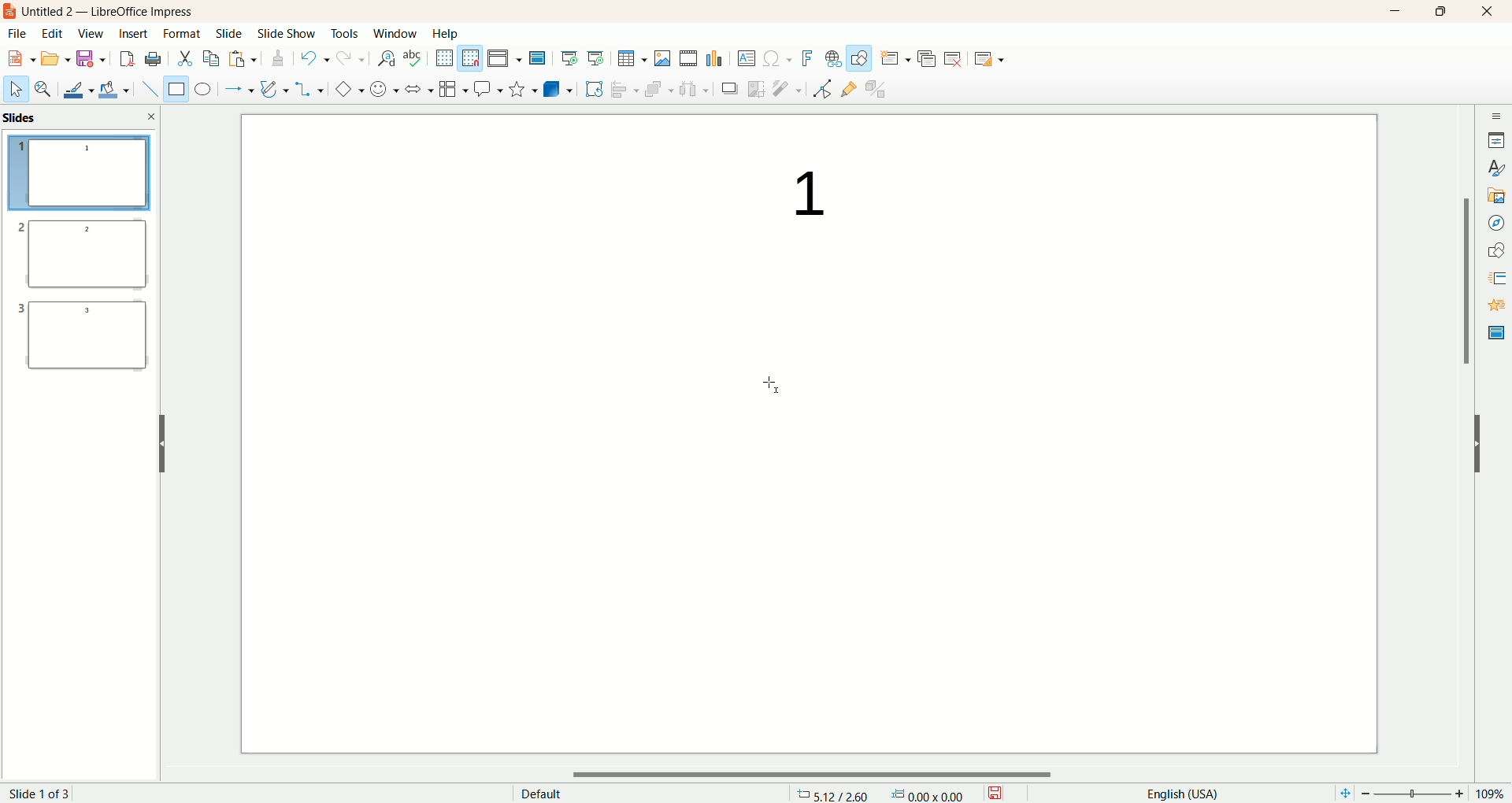 The width and height of the screenshot is (1512, 803). Describe the element at coordinates (272, 87) in the screenshot. I see `curves and polygon` at that location.